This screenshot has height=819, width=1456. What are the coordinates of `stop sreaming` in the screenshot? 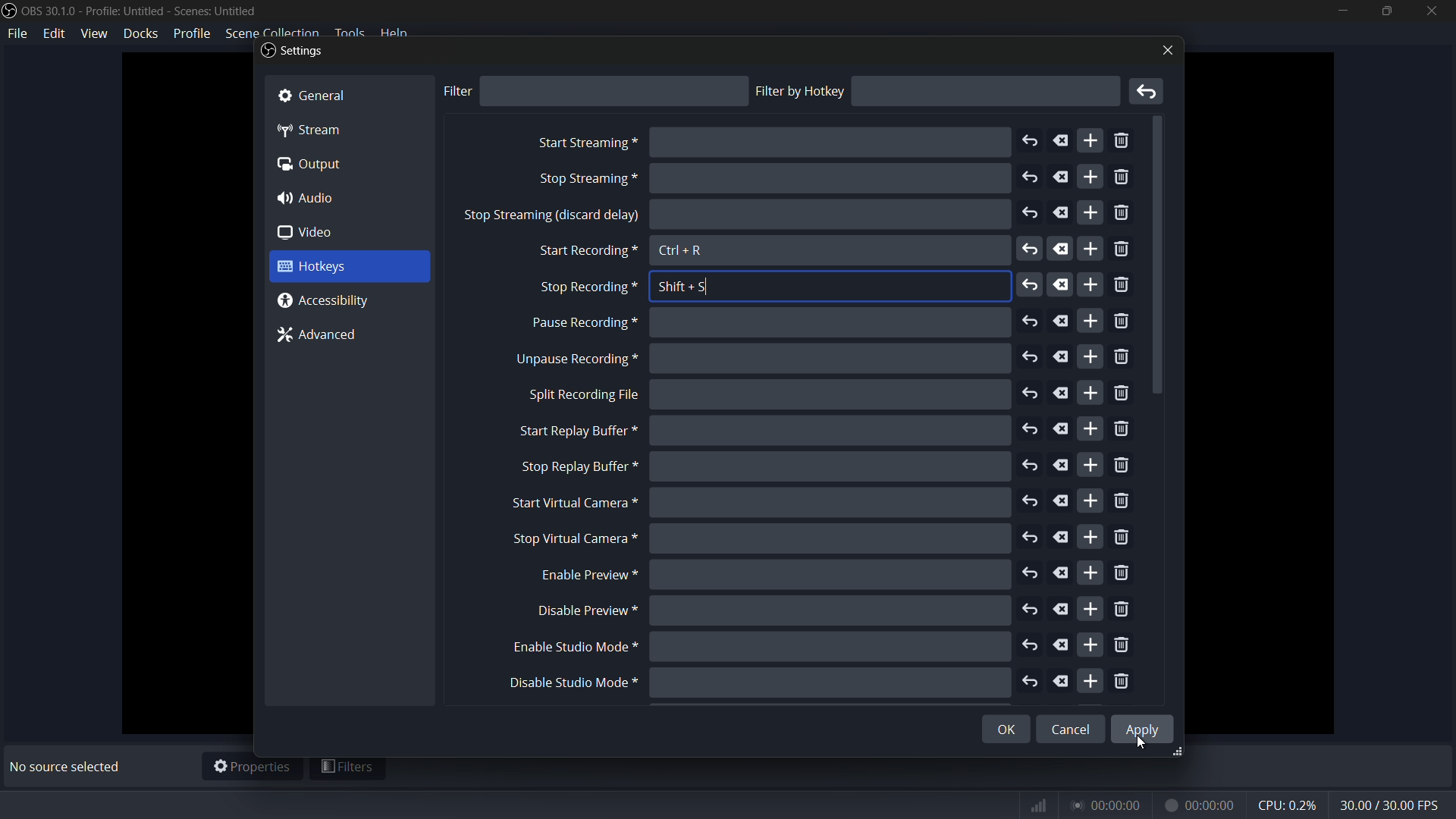 It's located at (551, 217).